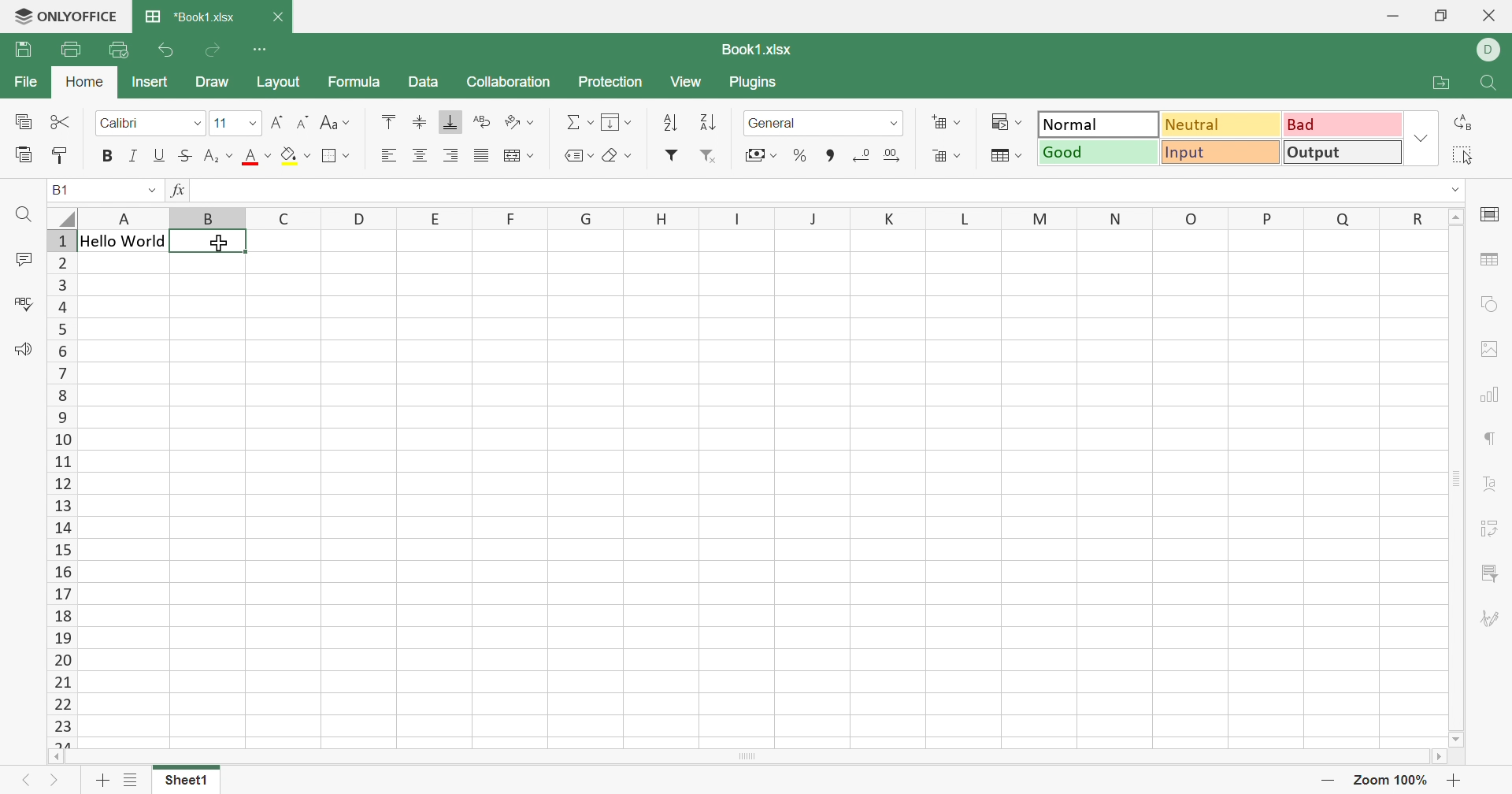  I want to click on Save, so click(24, 49).